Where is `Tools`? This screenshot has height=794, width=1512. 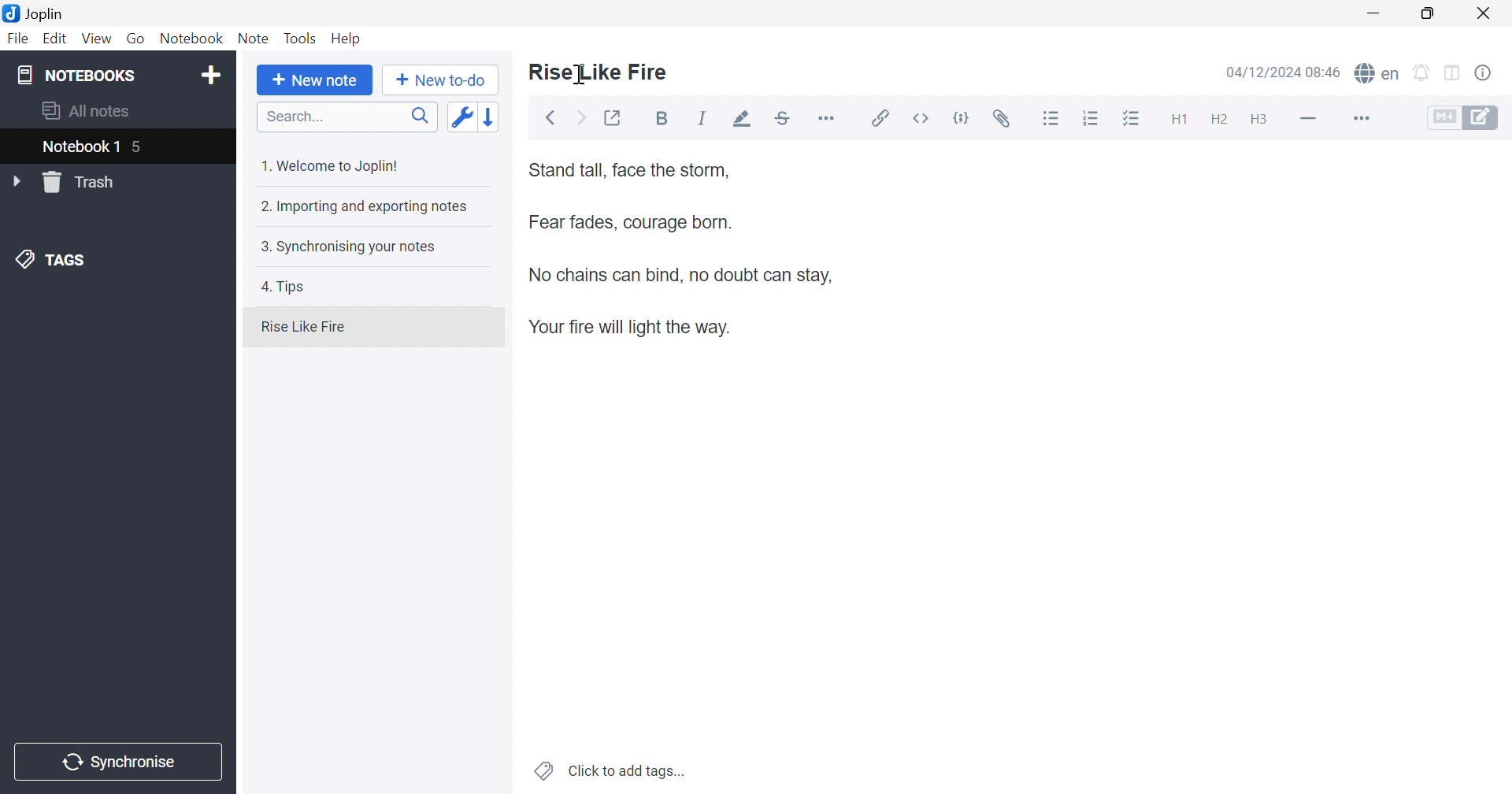 Tools is located at coordinates (301, 37).